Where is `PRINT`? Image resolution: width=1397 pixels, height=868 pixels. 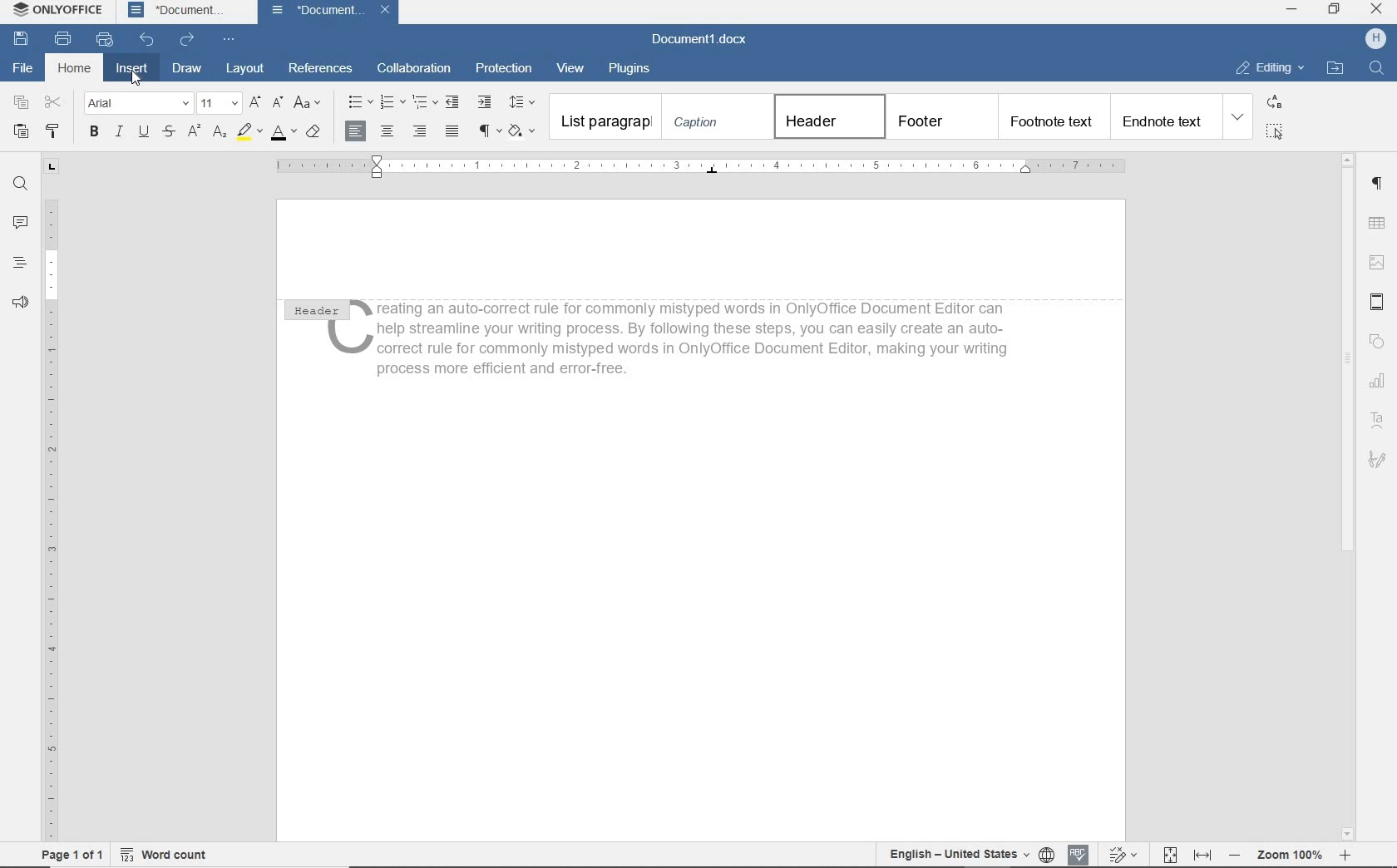
PRINT is located at coordinates (63, 37).